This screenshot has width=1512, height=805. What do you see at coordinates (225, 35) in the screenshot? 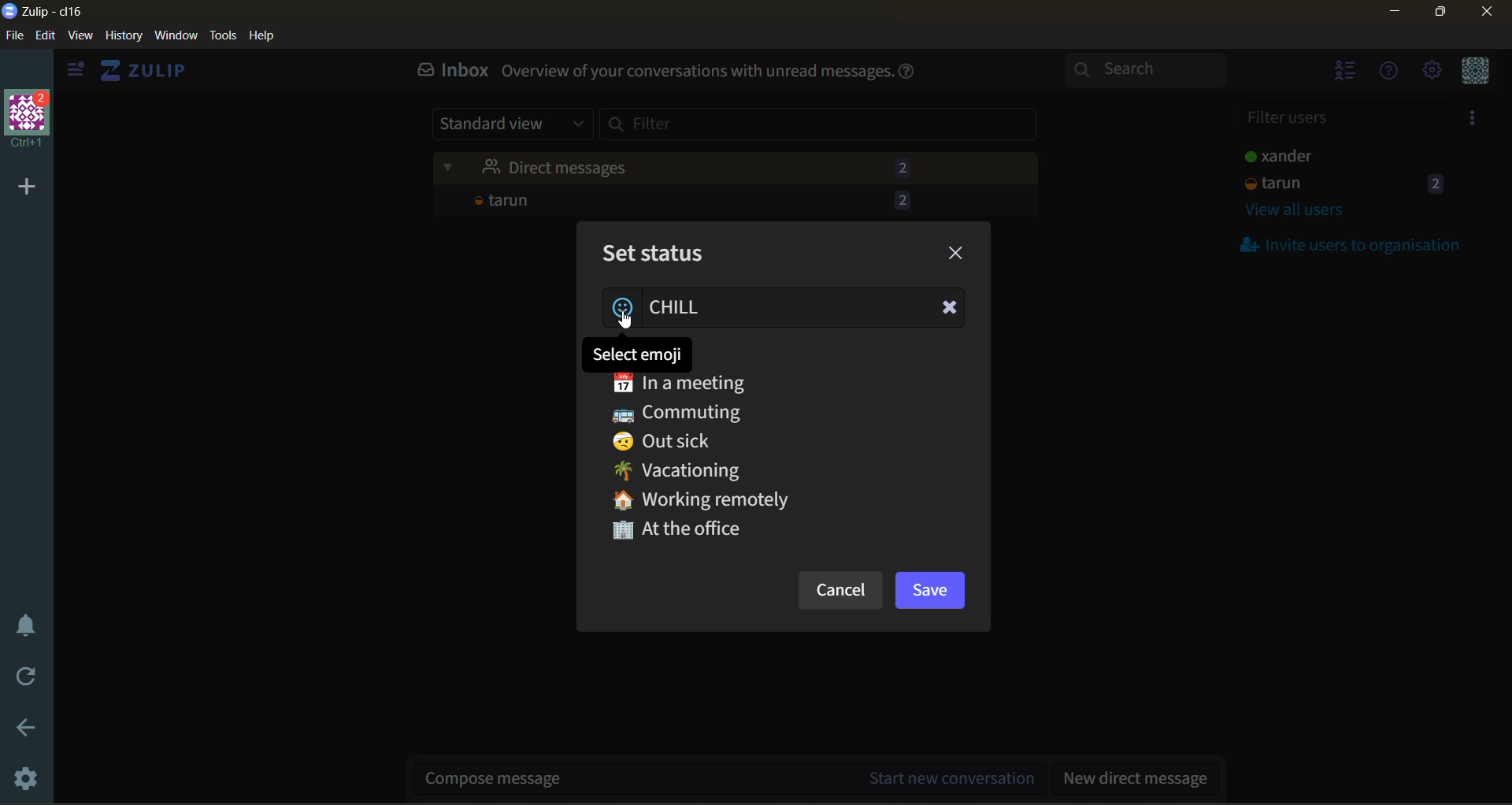
I see `tools` at bounding box center [225, 35].